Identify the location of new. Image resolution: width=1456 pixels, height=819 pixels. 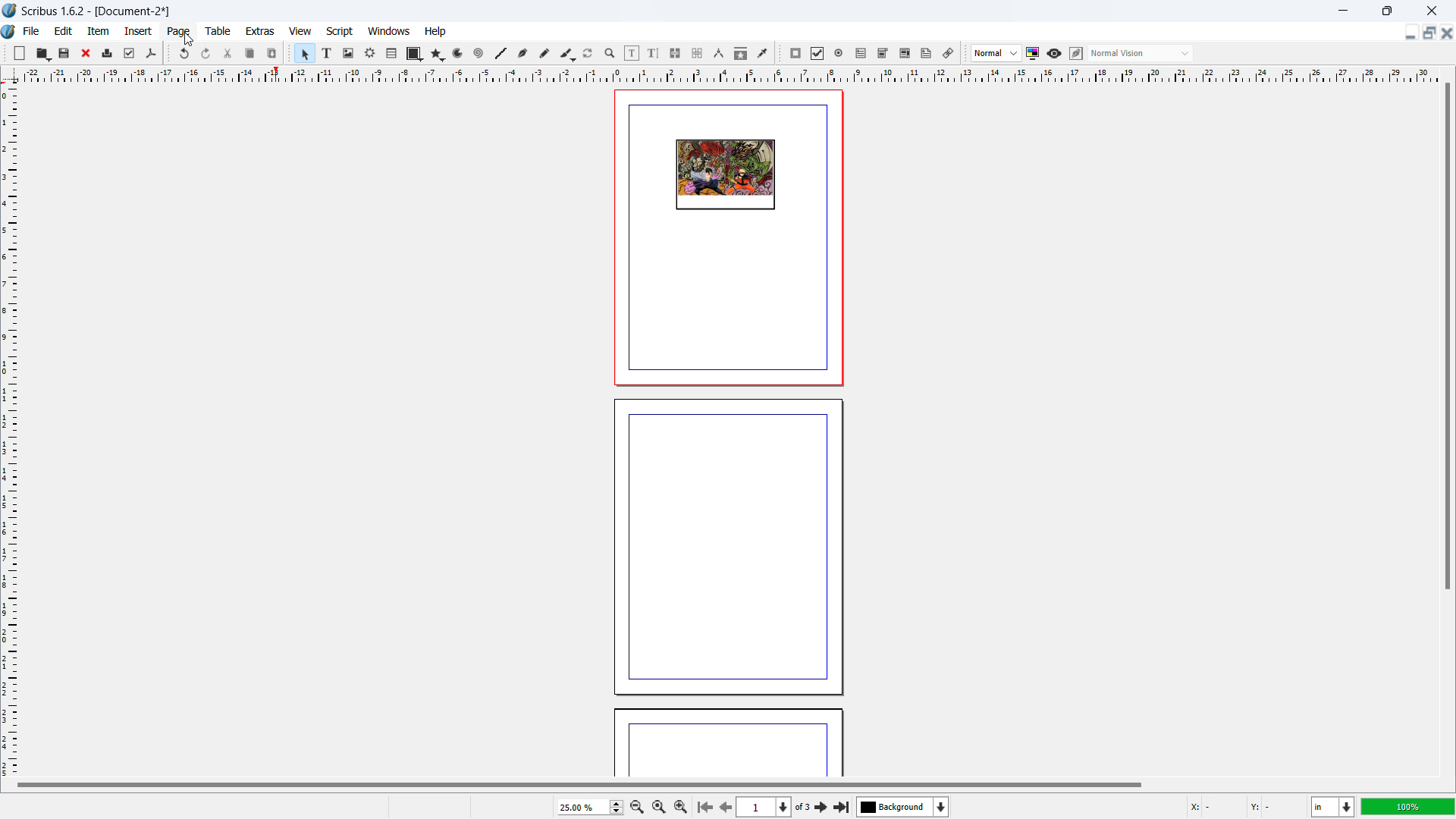
(20, 53).